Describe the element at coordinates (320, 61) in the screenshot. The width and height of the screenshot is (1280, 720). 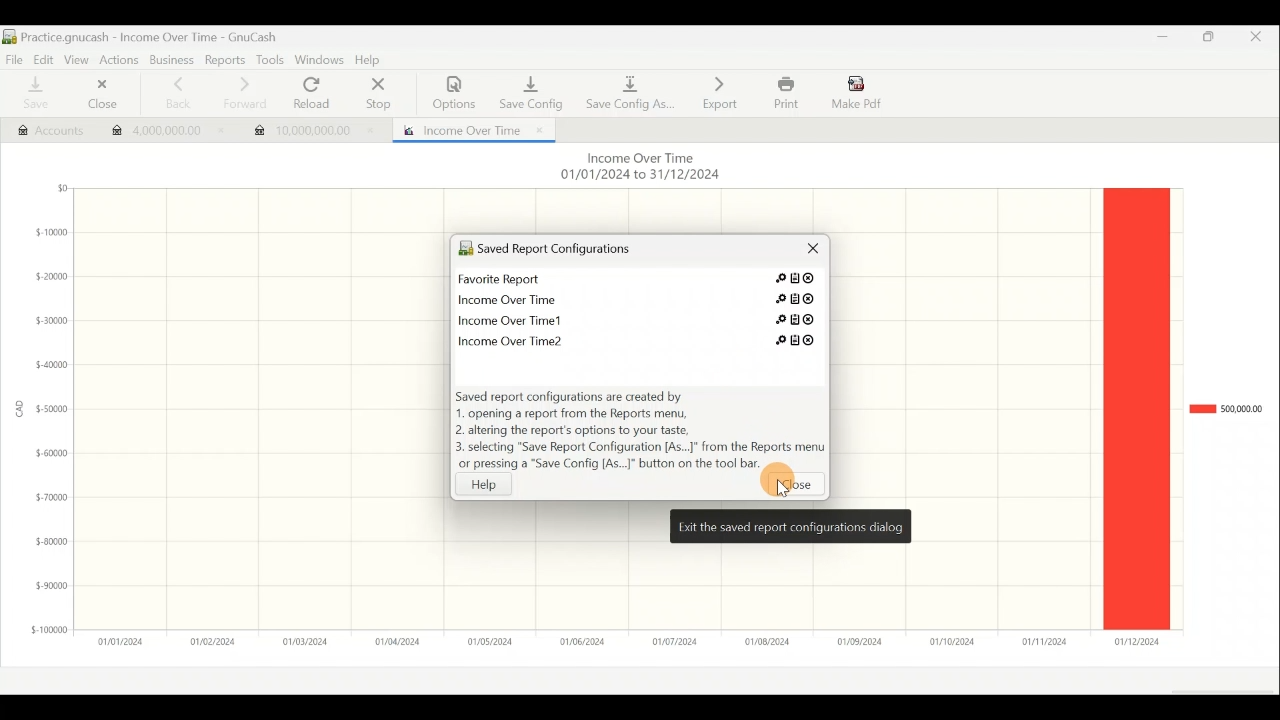
I see `Windows` at that location.